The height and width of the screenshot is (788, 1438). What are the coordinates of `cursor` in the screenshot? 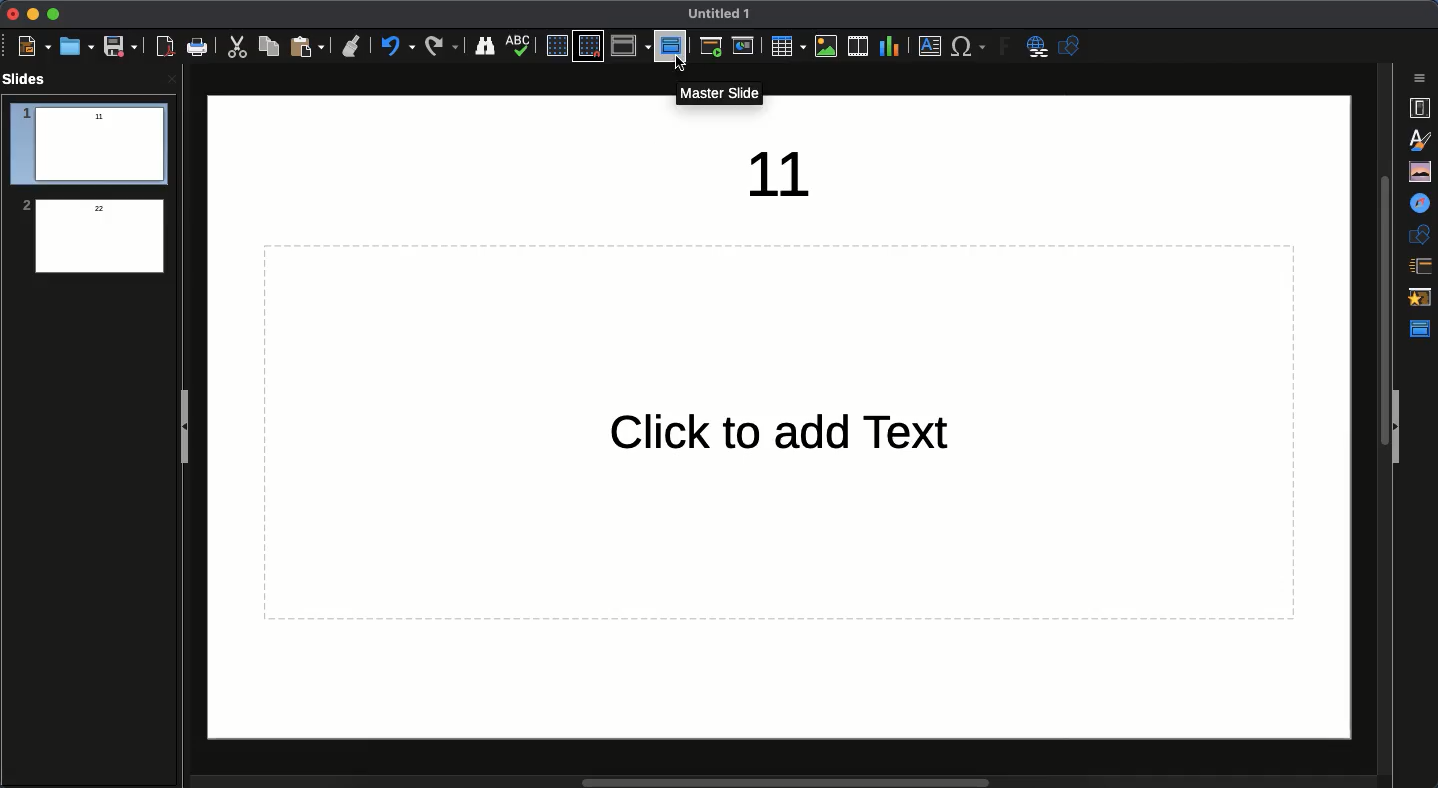 It's located at (684, 66).